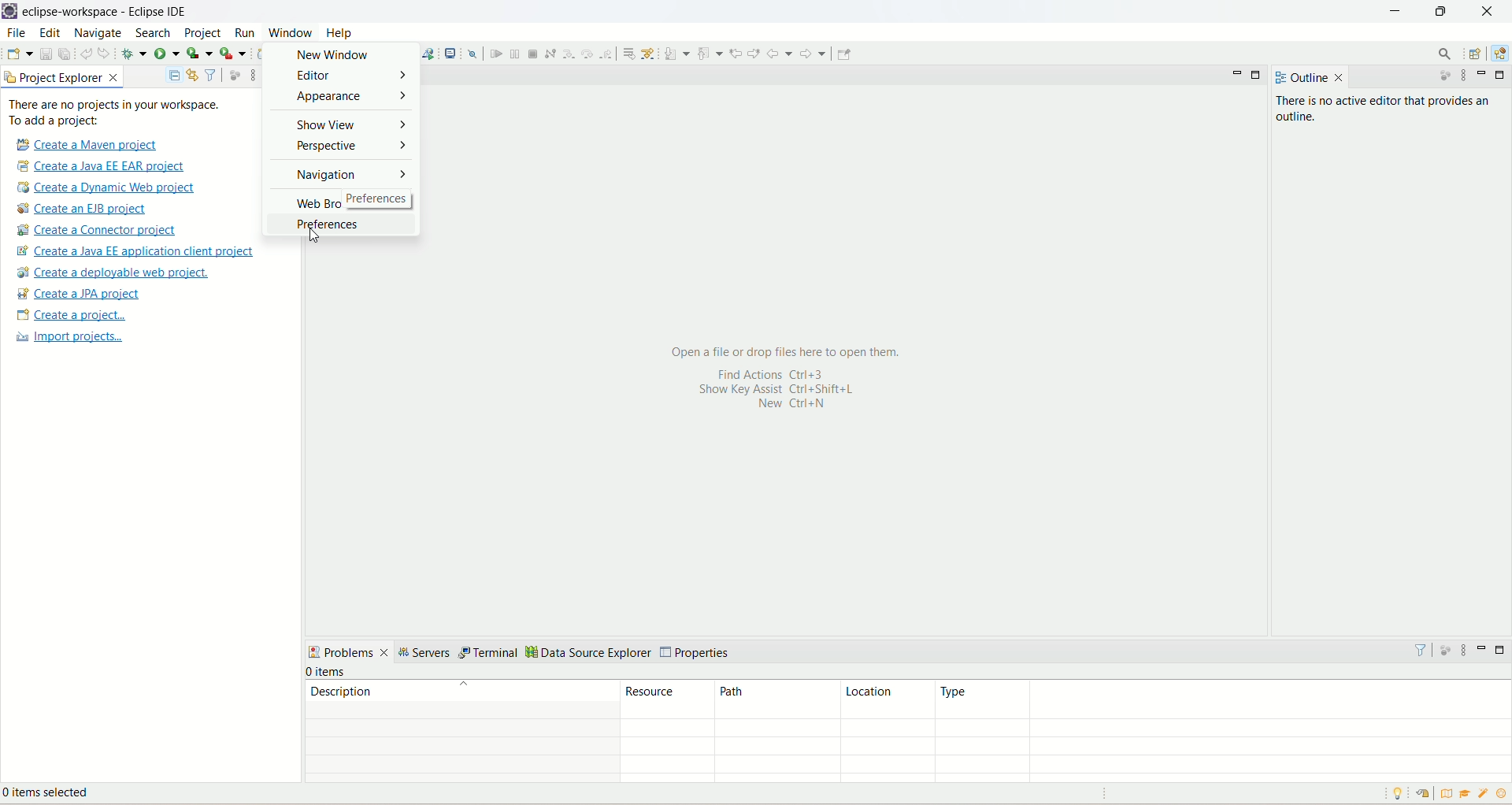  What do you see at coordinates (626, 53) in the screenshot?
I see `drop to frames` at bounding box center [626, 53].